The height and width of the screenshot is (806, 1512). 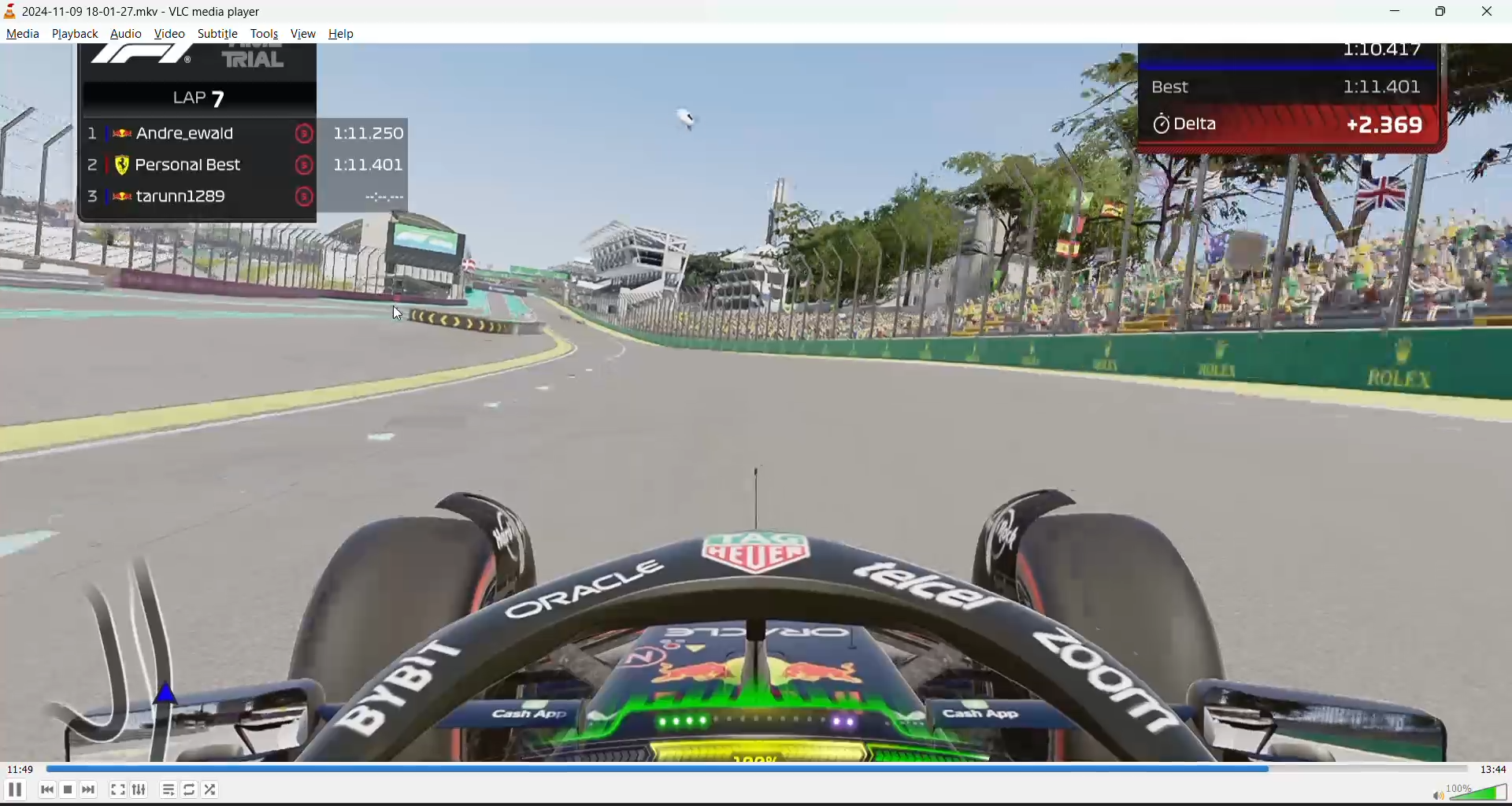 What do you see at coordinates (70, 790) in the screenshot?
I see `stop` at bounding box center [70, 790].